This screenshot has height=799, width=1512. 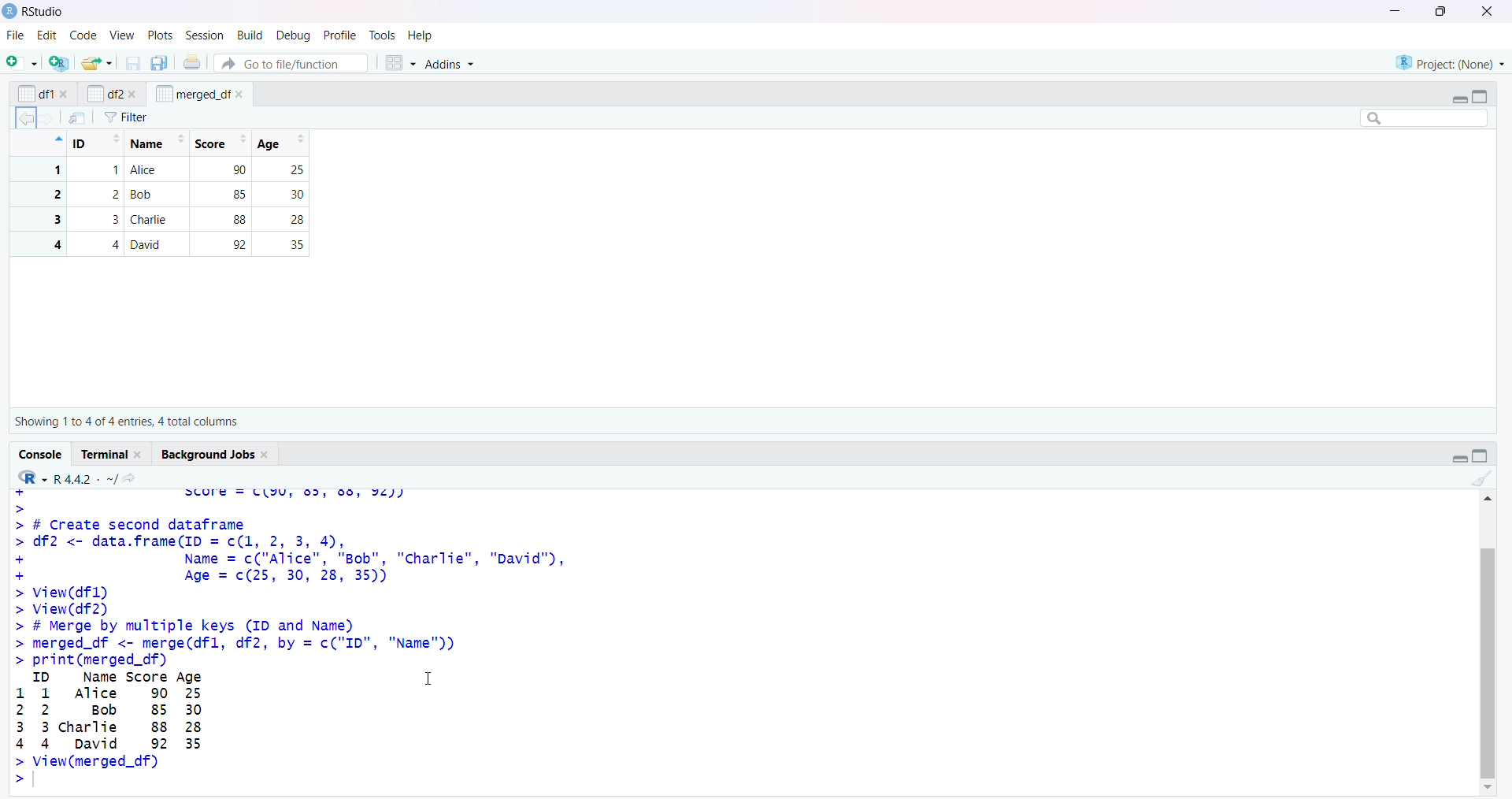 What do you see at coordinates (97, 143) in the screenshot?
I see `ID` at bounding box center [97, 143].